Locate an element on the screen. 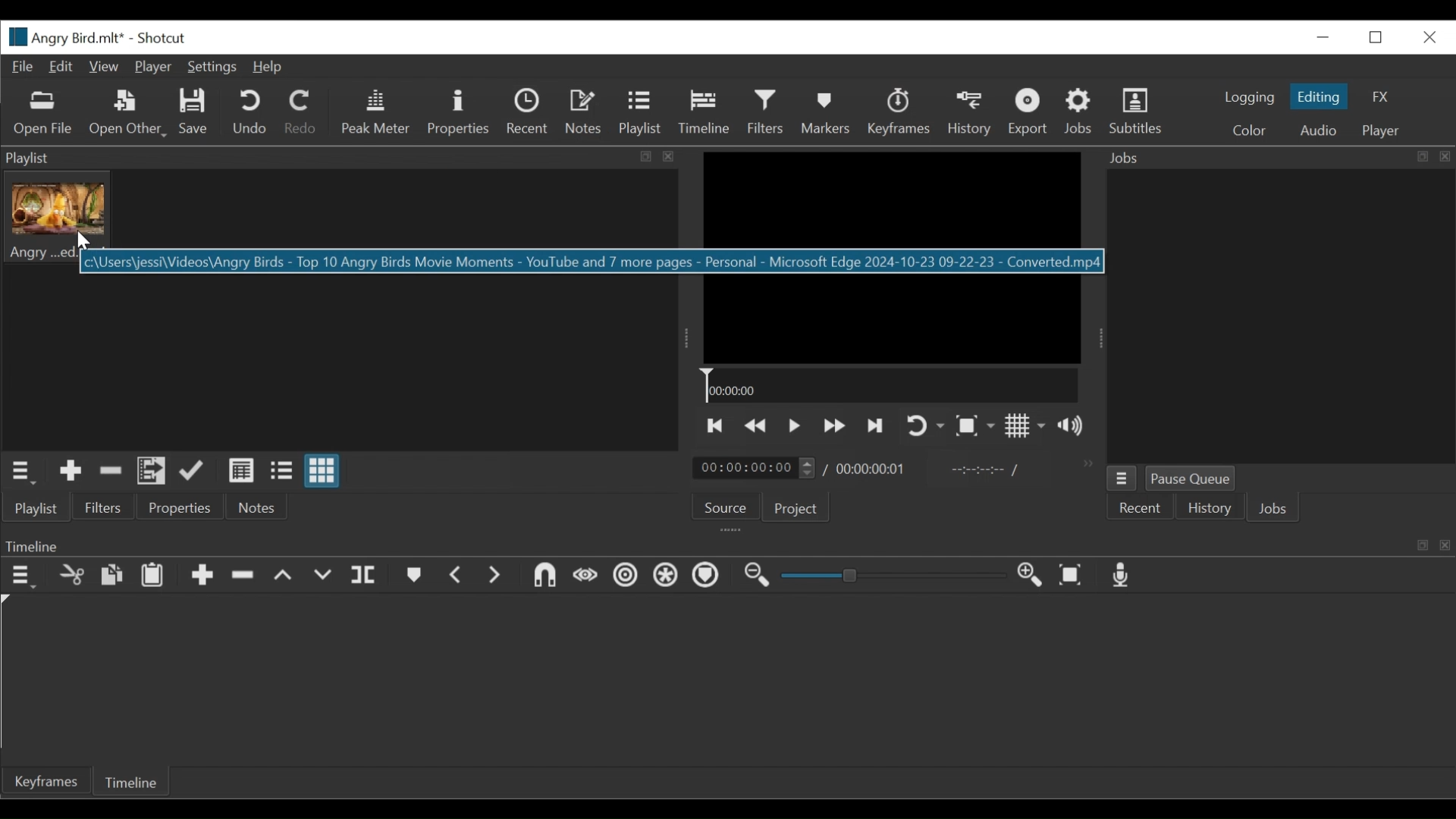 The width and height of the screenshot is (1456, 819). Next Marker is located at coordinates (497, 576).